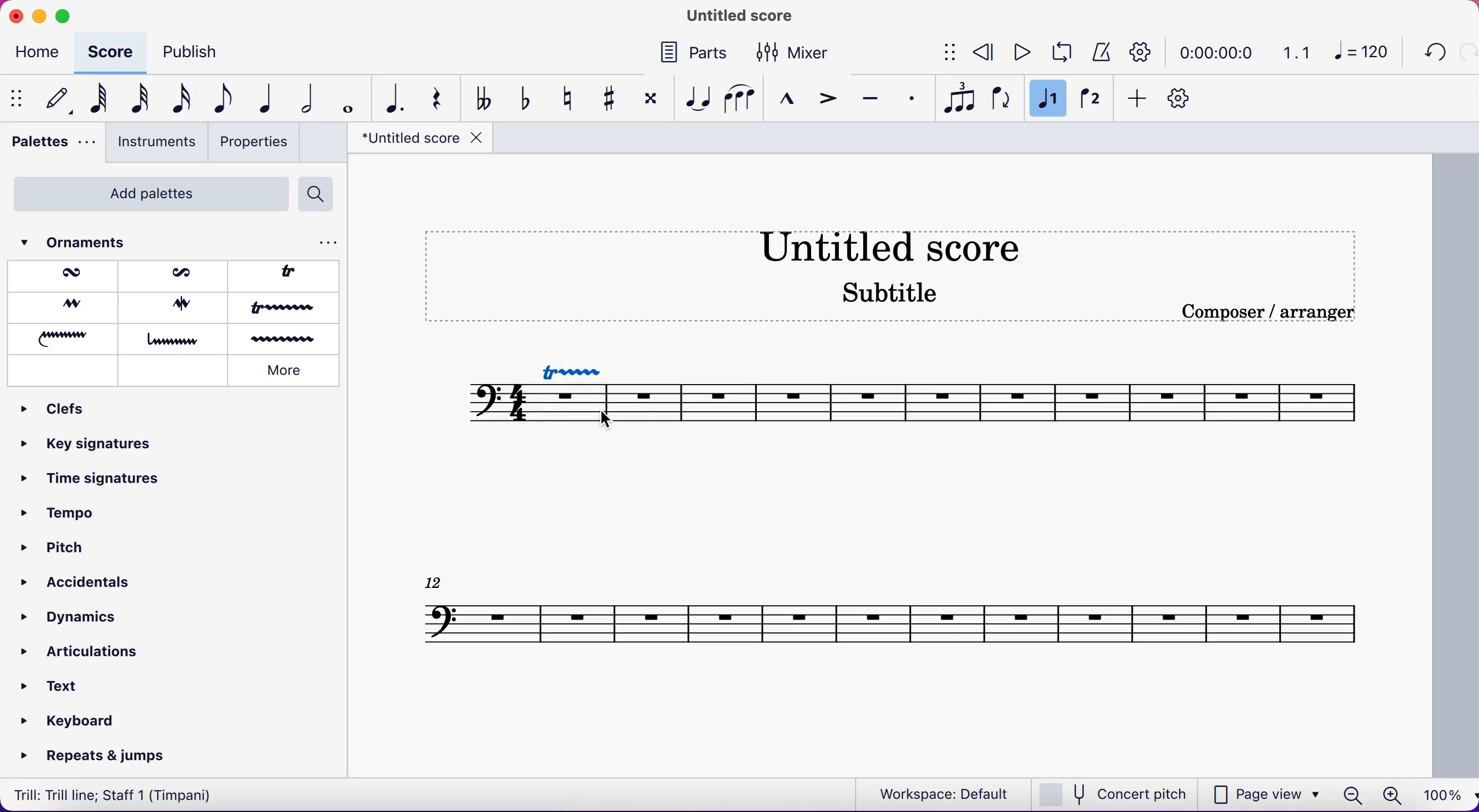  Describe the element at coordinates (895, 299) in the screenshot. I see `score subtitle` at that location.